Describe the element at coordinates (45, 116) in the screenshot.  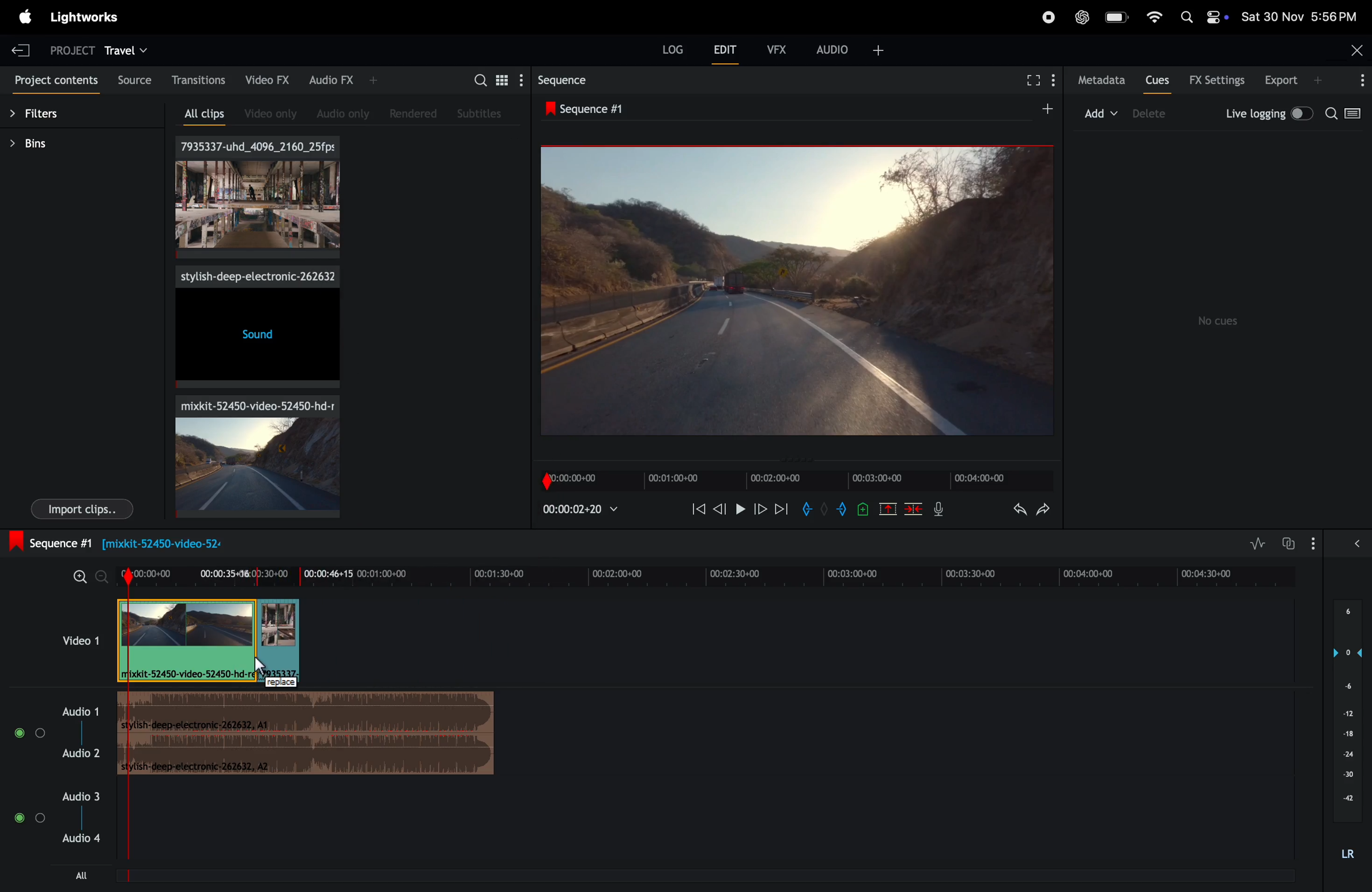
I see `filters` at that location.